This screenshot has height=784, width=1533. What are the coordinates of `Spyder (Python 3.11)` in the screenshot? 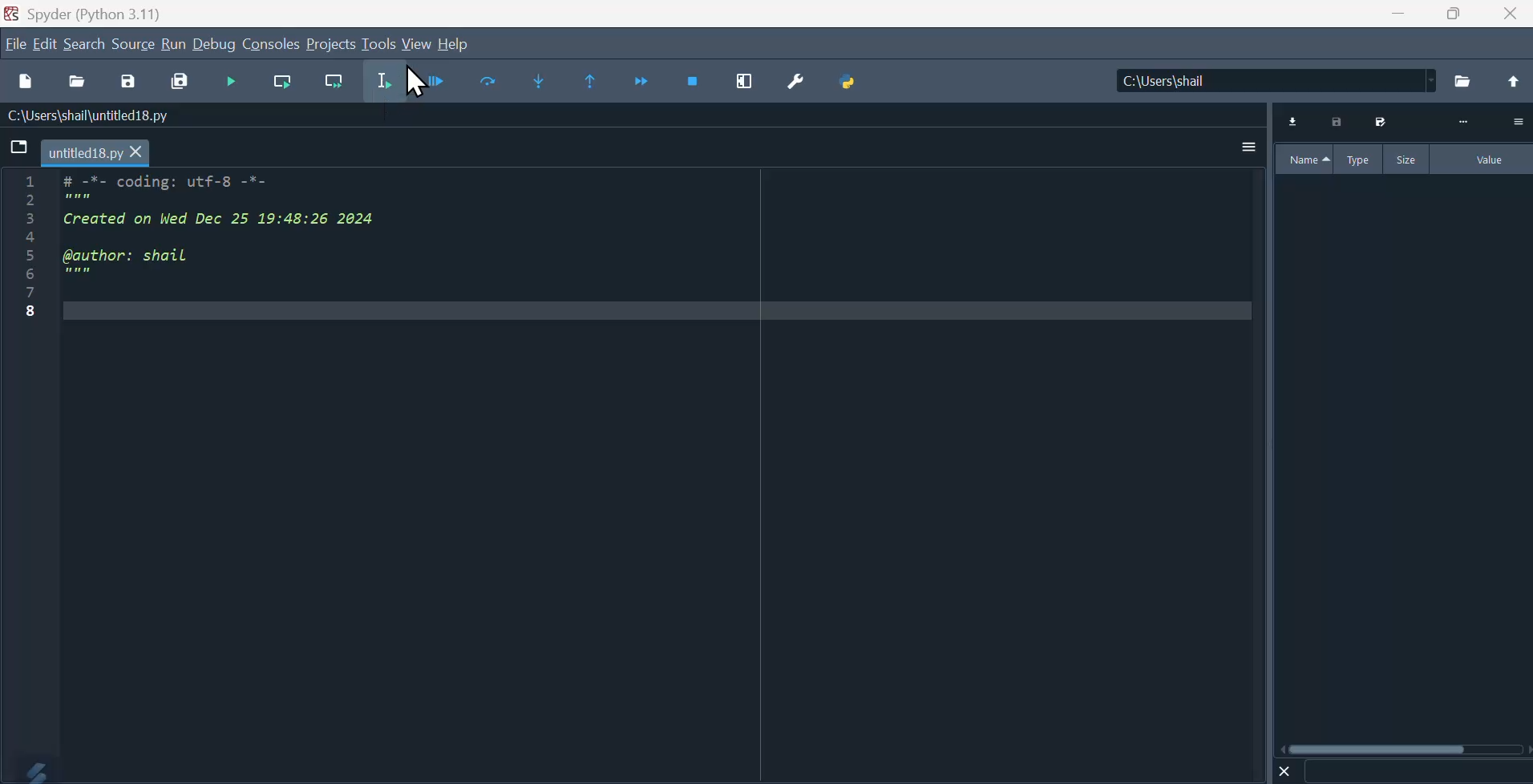 It's located at (83, 12).